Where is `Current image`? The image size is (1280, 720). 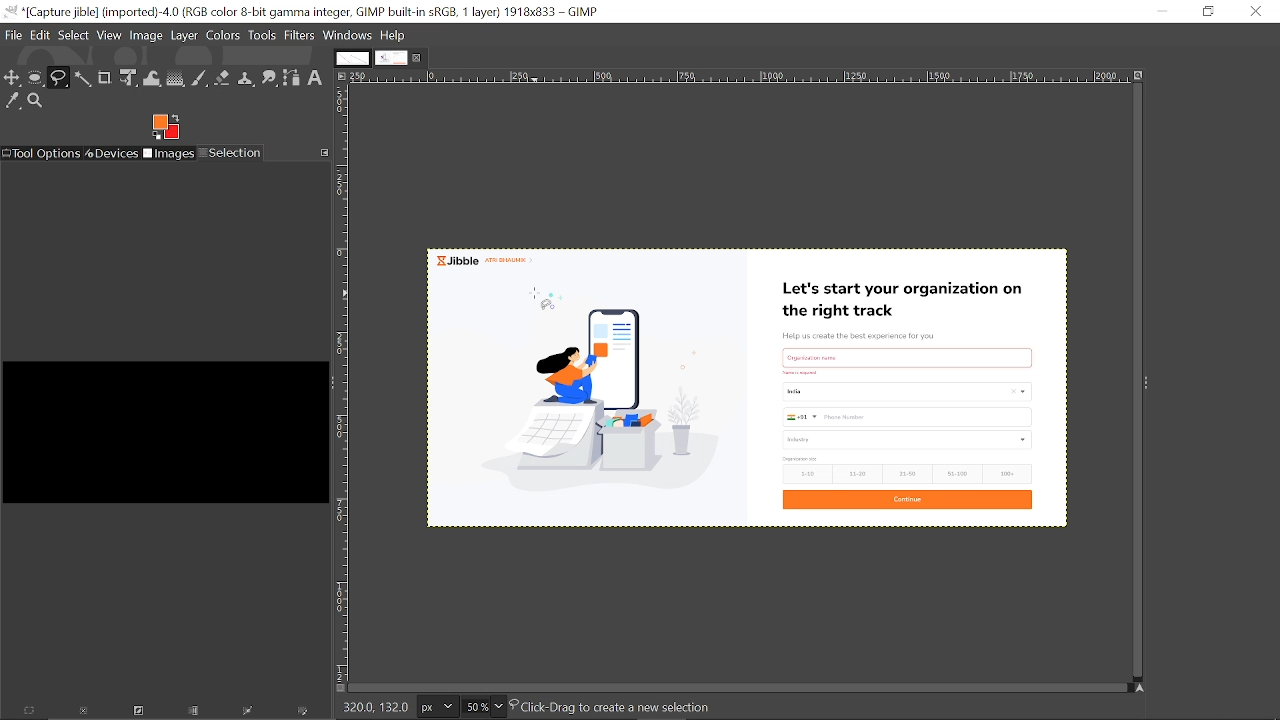
Current image is located at coordinates (747, 393).